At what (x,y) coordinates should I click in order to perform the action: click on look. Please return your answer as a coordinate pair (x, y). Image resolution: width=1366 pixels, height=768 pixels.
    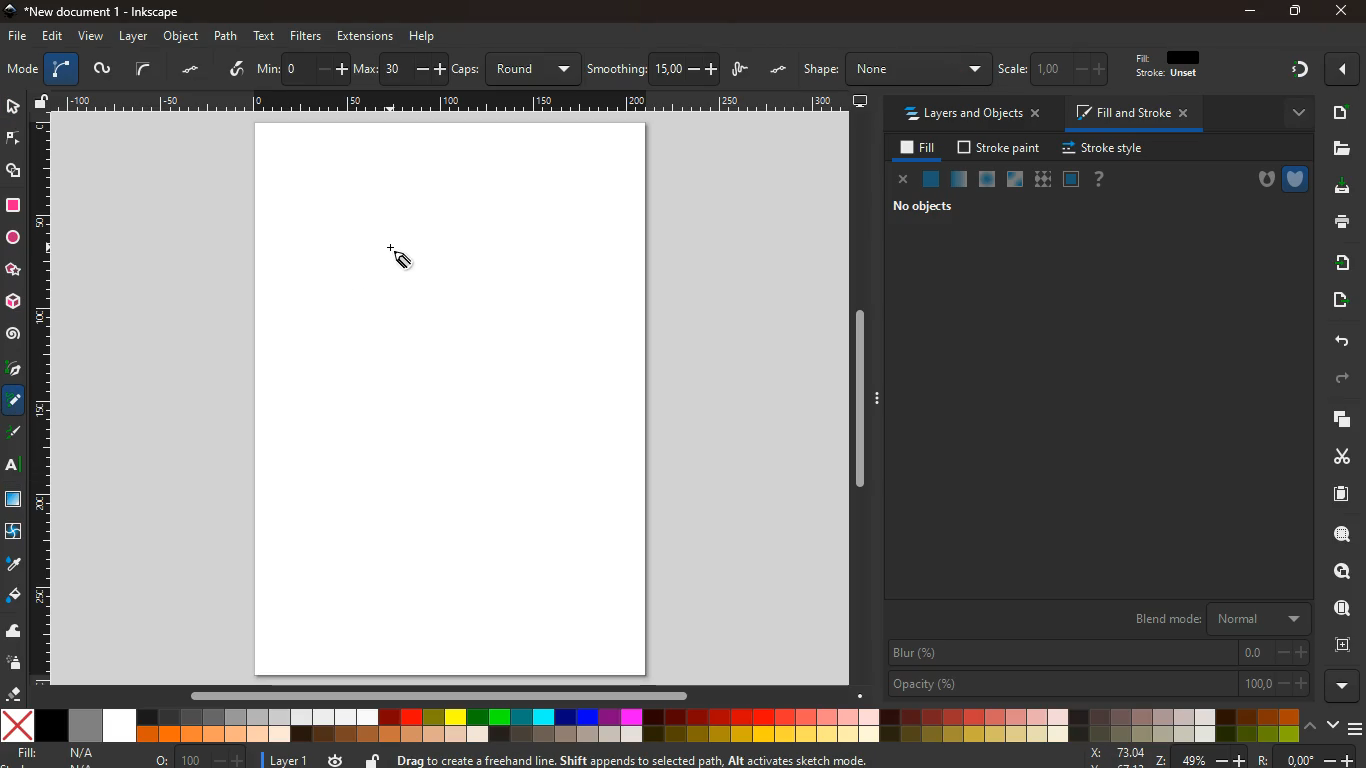
    Looking at the image, I should click on (1341, 610).